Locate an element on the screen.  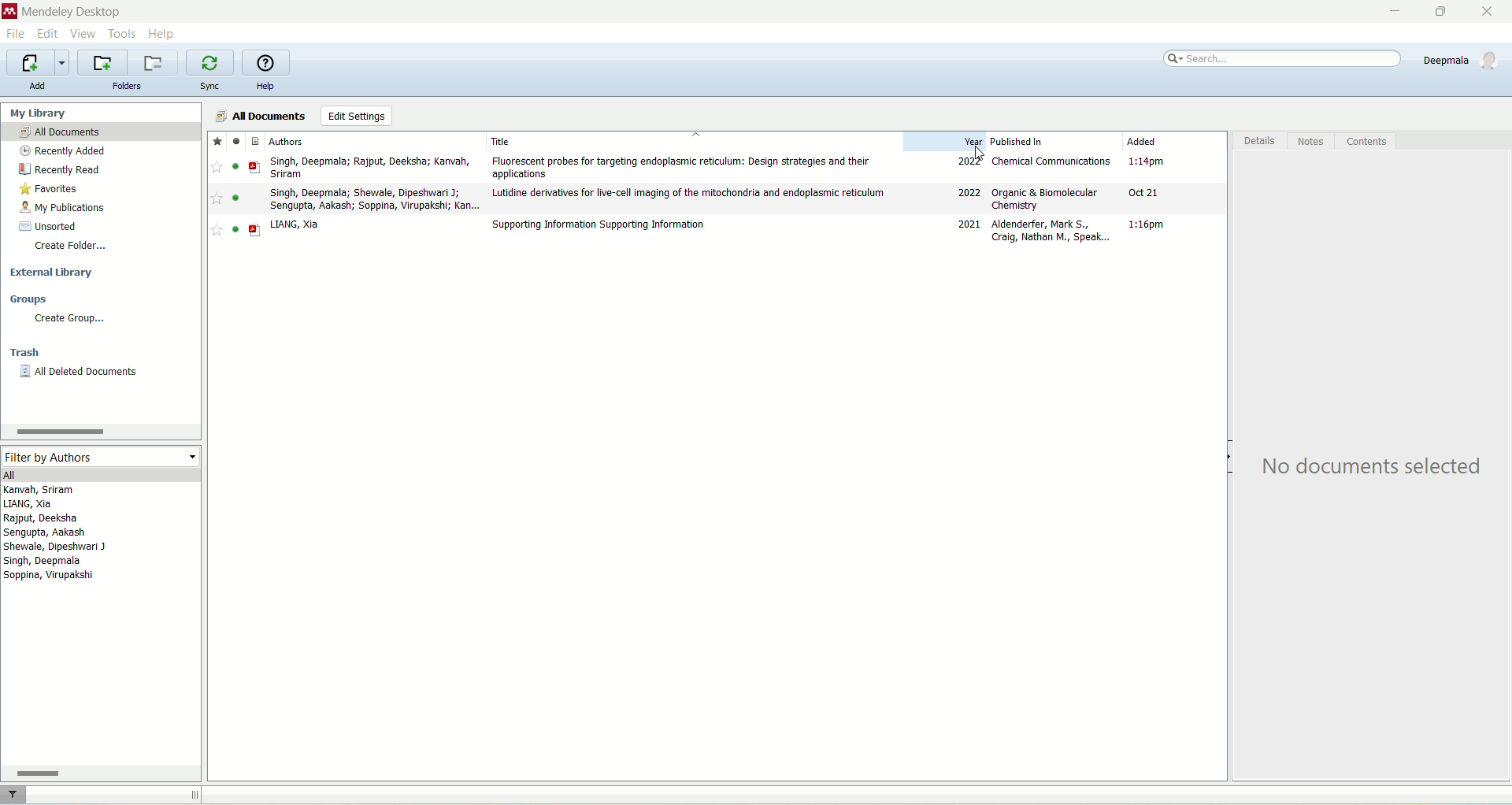
scroll bar is located at coordinates (99, 432).